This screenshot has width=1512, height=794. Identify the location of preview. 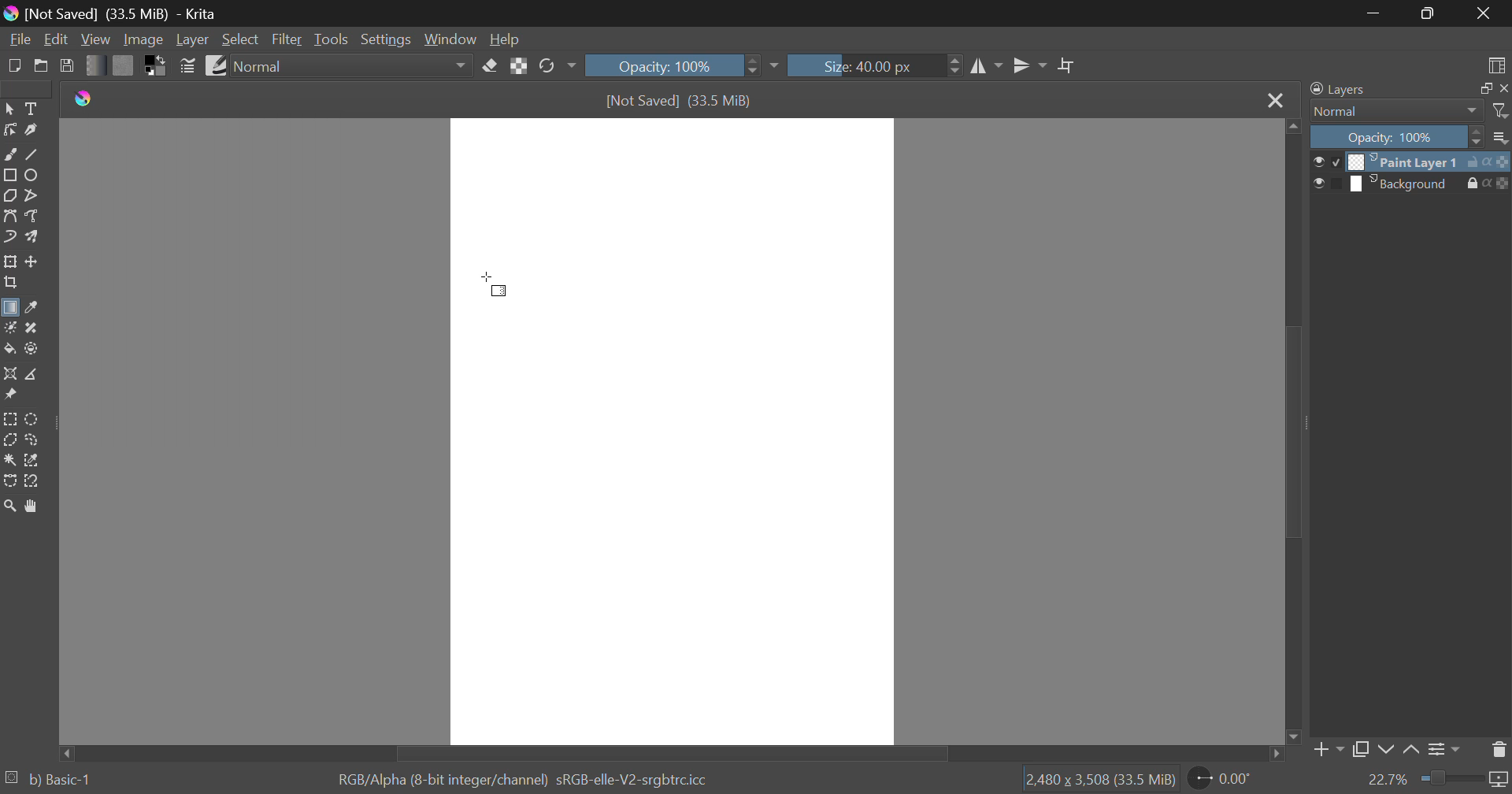
(1330, 162).